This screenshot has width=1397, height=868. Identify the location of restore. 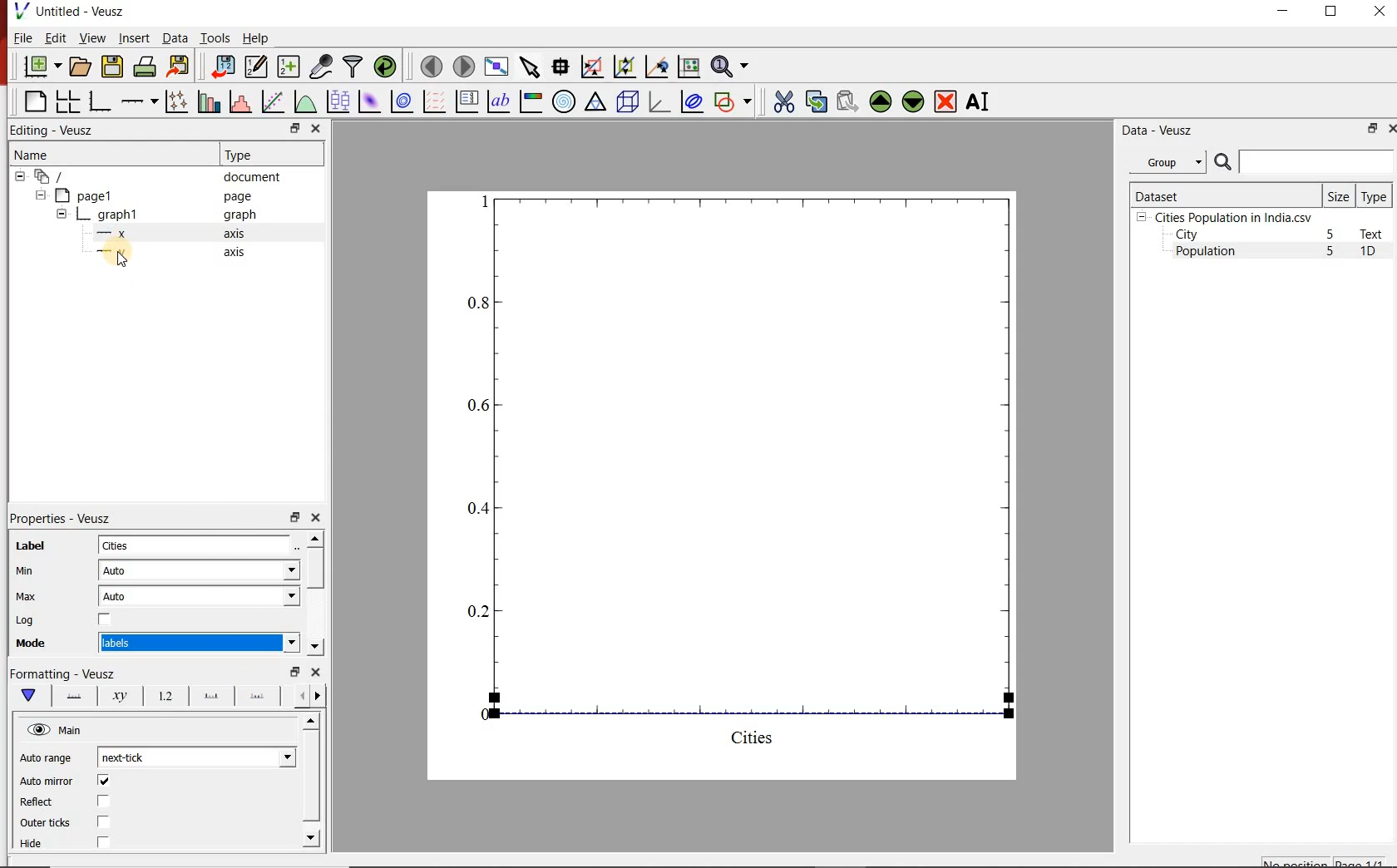
(294, 672).